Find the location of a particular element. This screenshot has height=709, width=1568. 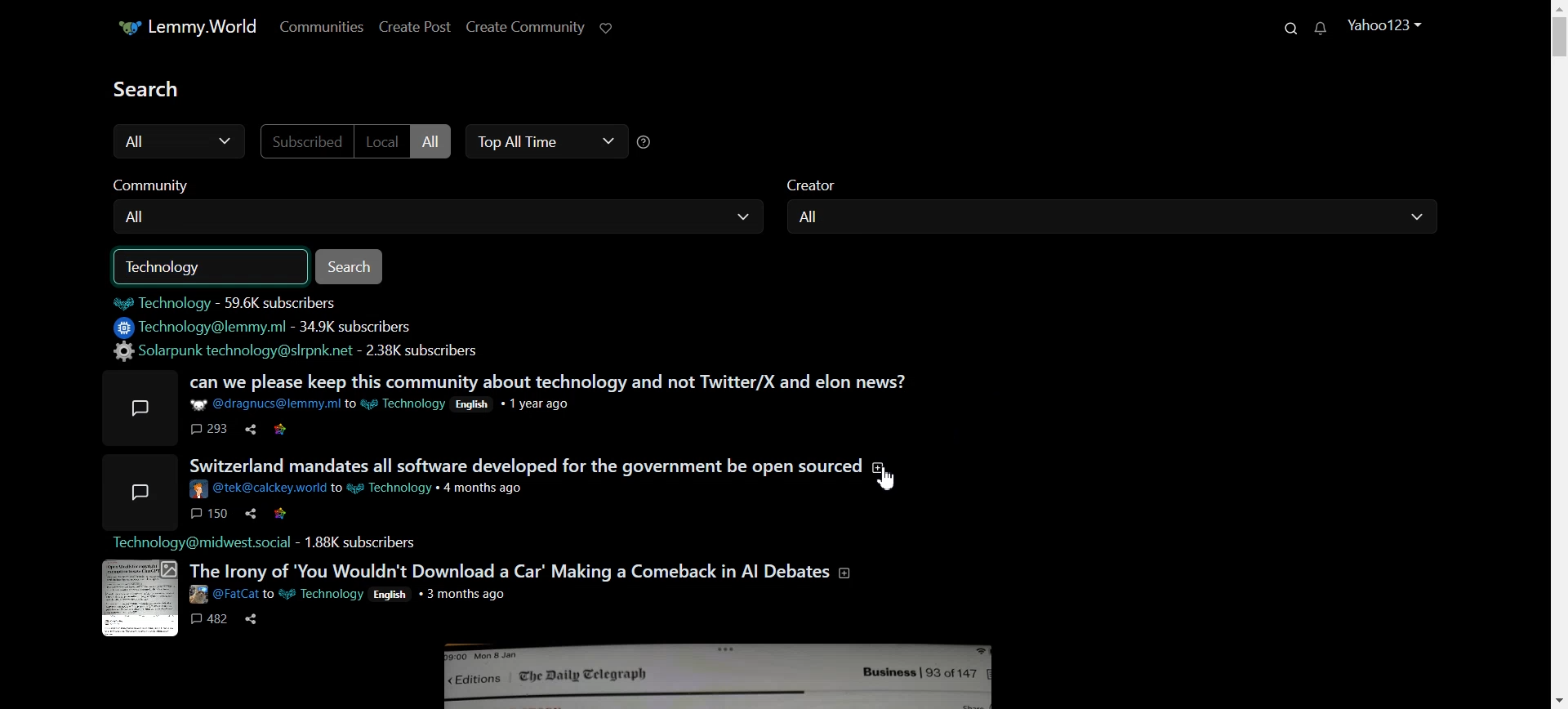

 Solarpunk technology@slrpnk.net - 2.38K subscribers is located at coordinates (301, 351).